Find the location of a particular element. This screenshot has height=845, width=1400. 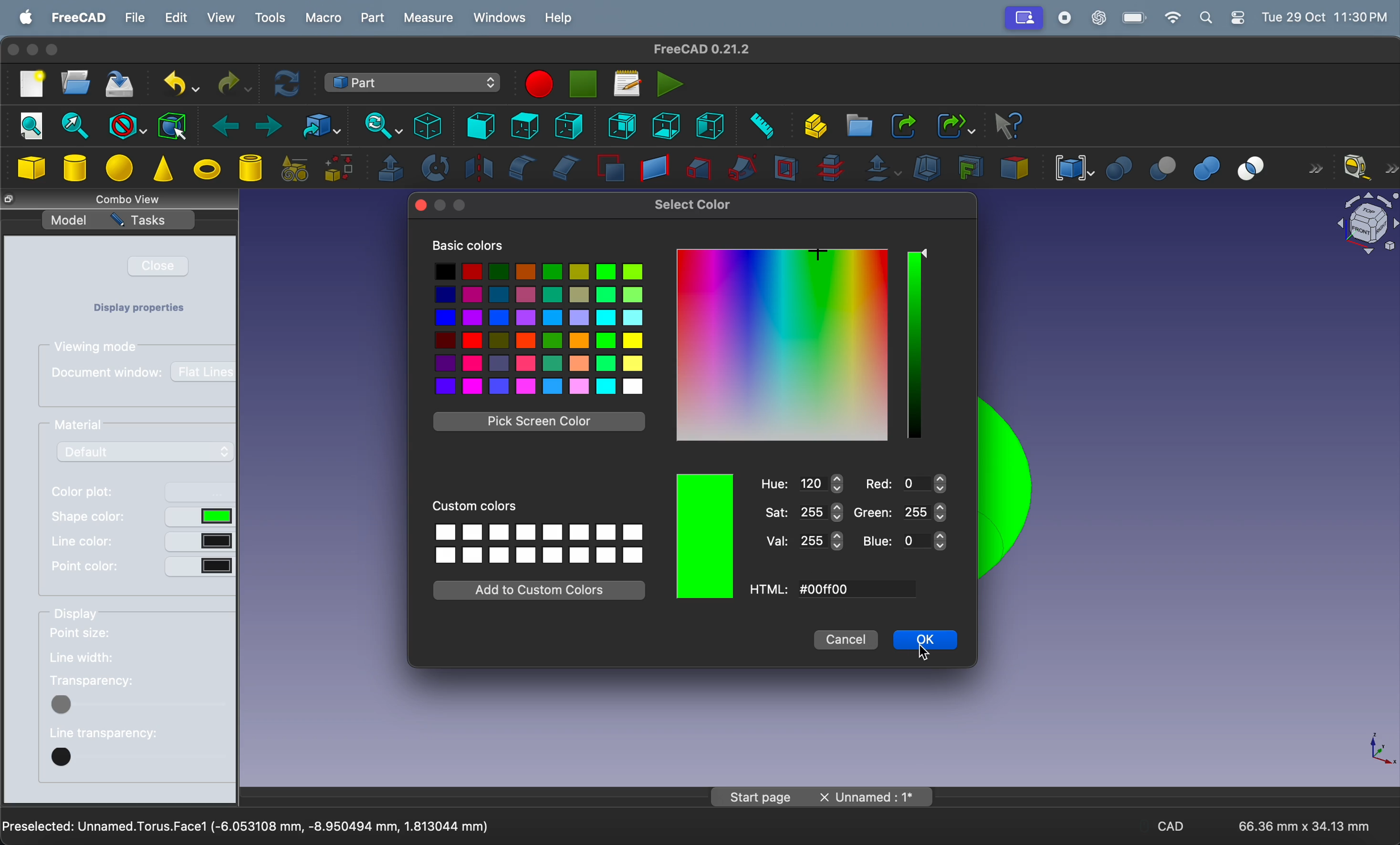

CAD is located at coordinates (1170, 825).